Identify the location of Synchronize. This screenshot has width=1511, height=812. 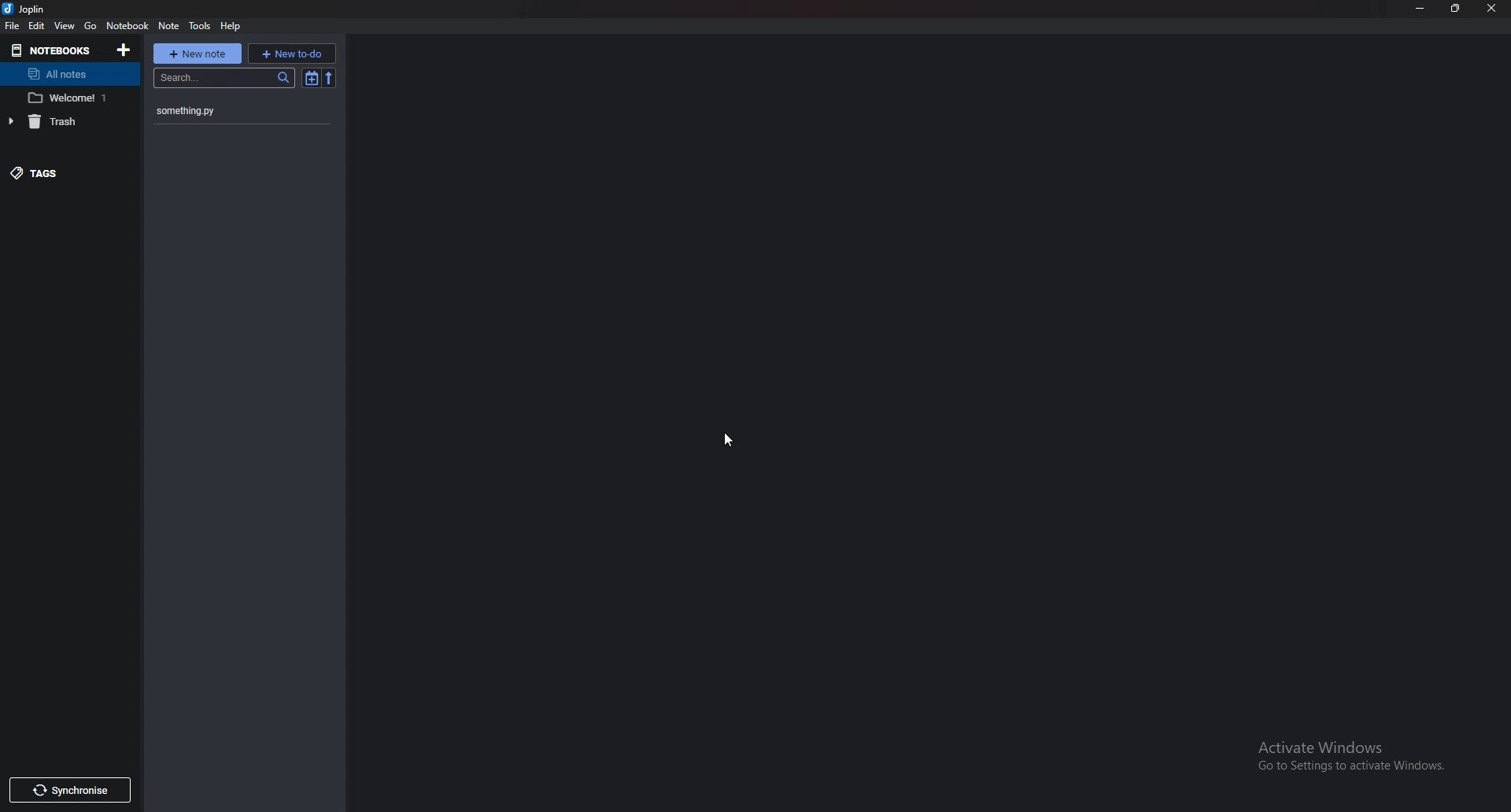
(69, 789).